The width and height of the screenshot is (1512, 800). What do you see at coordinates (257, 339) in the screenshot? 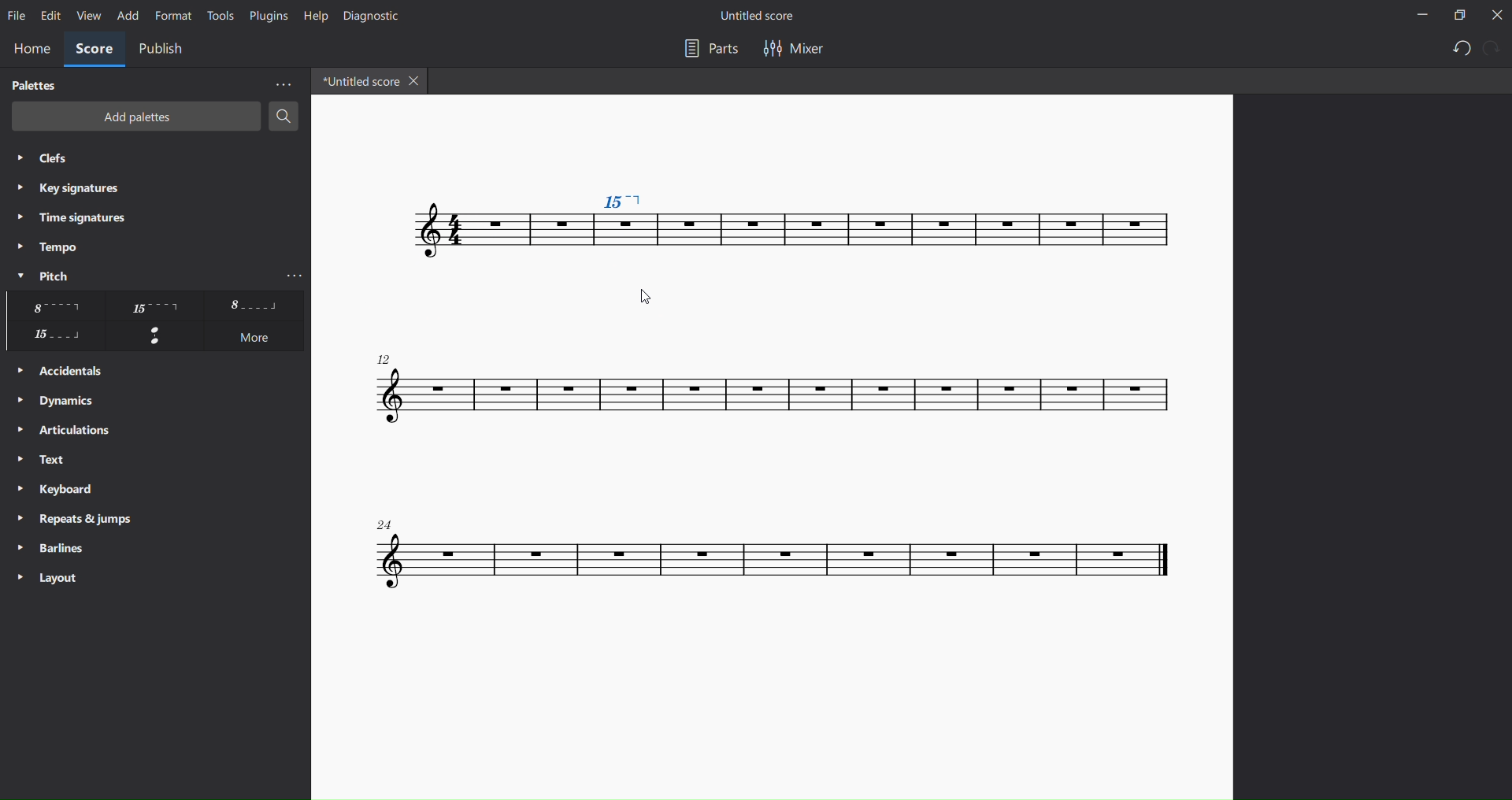
I see `more` at bounding box center [257, 339].